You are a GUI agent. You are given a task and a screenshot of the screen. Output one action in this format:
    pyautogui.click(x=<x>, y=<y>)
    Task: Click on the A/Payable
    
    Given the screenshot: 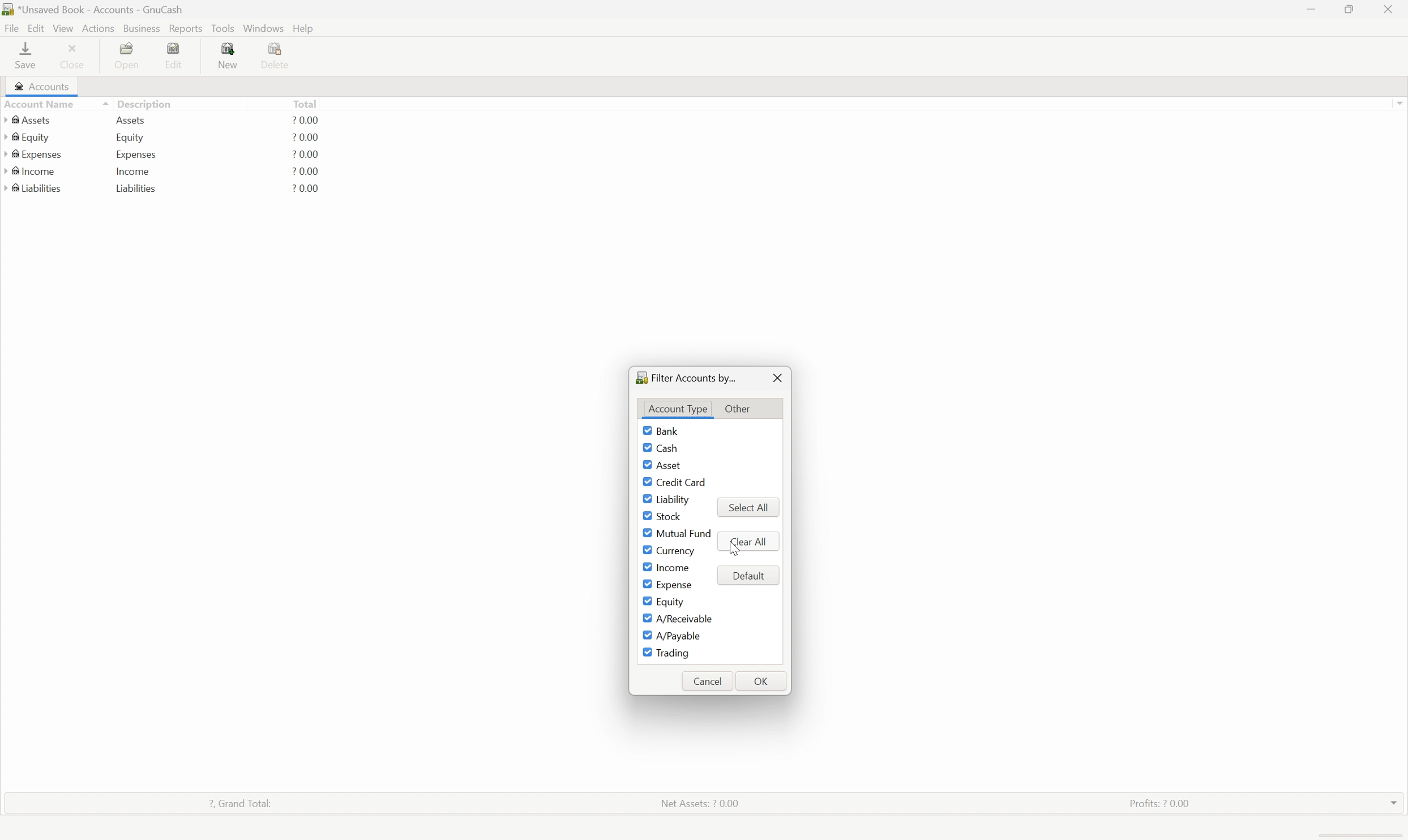 What is the action you would take?
    pyautogui.click(x=679, y=637)
    